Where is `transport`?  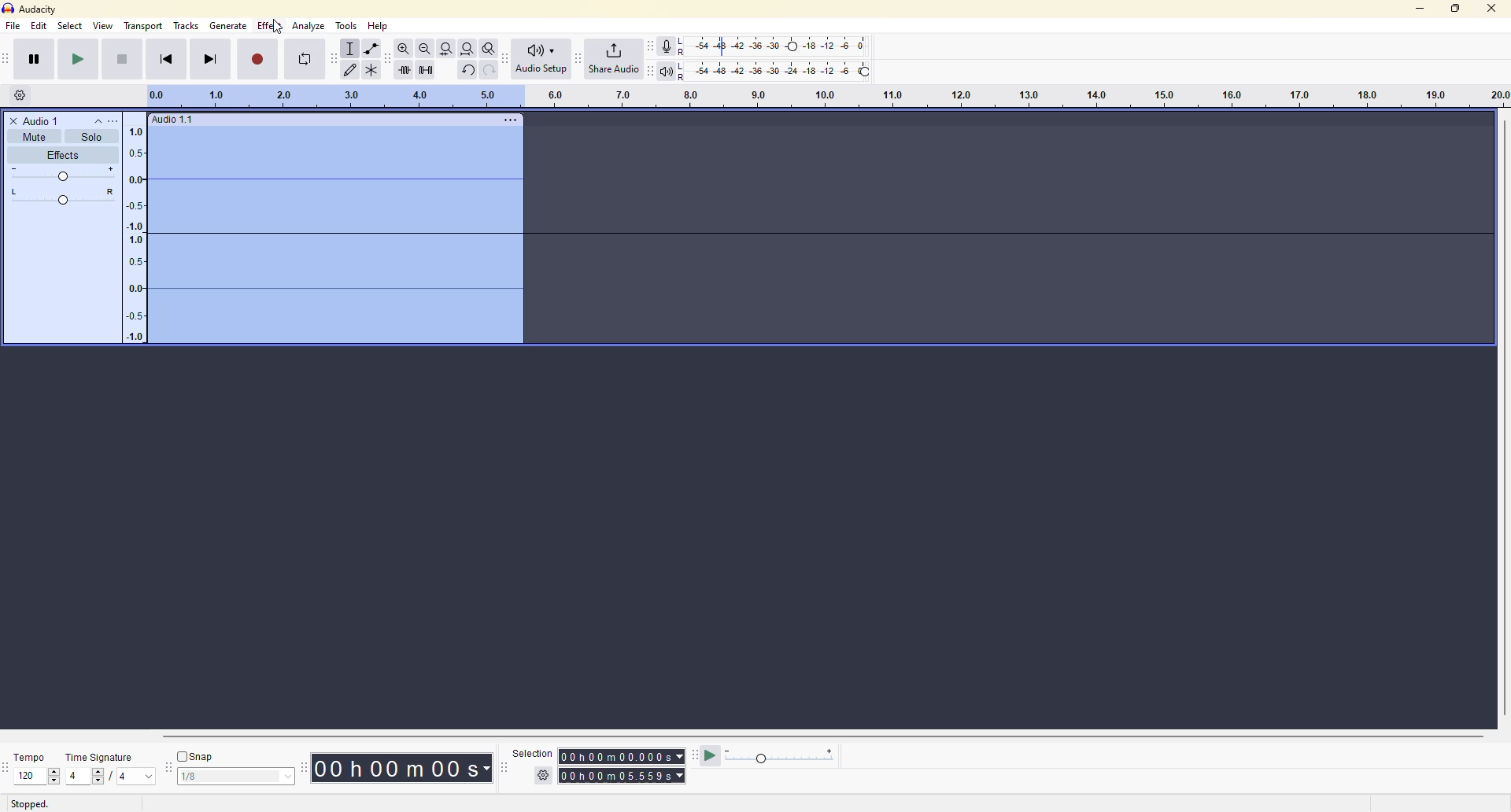 transport is located at coordinates (144, 25).